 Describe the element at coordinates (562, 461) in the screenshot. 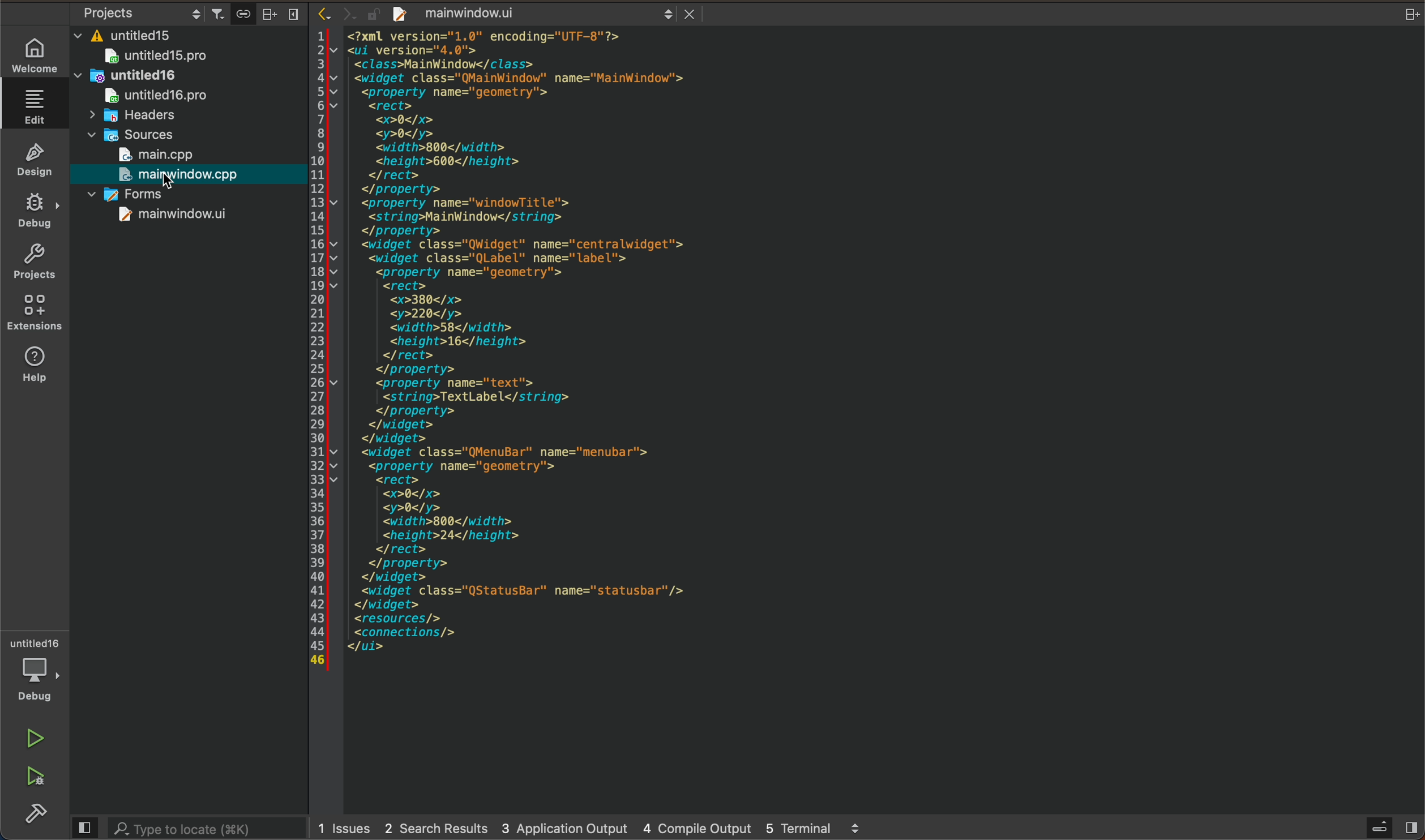

I see `16 <widget class="QWidget" name="centralwidget™>
17 <widget class="QLabel" name="1label">
18 <property name="geometry">

19 <rect>

20 <x>380</x>

21 <y>220</y>

22 <width>58</width>

23 <height>16</height>

24 </rect>

25 </property>

26 <property name="text">

27 <string>TextLabel</string>

28 </property>

29 </widget>

30 </widget>

Bi) <widget class="QMenuBar" name='"menubar">
32 <property name="geometry">

33 <rect>

34 <x>0</x>

85! <y>0</y>

36 <width>800</width>

Bill <height>24</height>

38 </rect>

39 </property>

40 </widget>

41 <widget class="QStatusBar" name="statusbar"/>
42 </widget>

x) <resources/>

44 <connections/>

45  </ui>

46` at that location.